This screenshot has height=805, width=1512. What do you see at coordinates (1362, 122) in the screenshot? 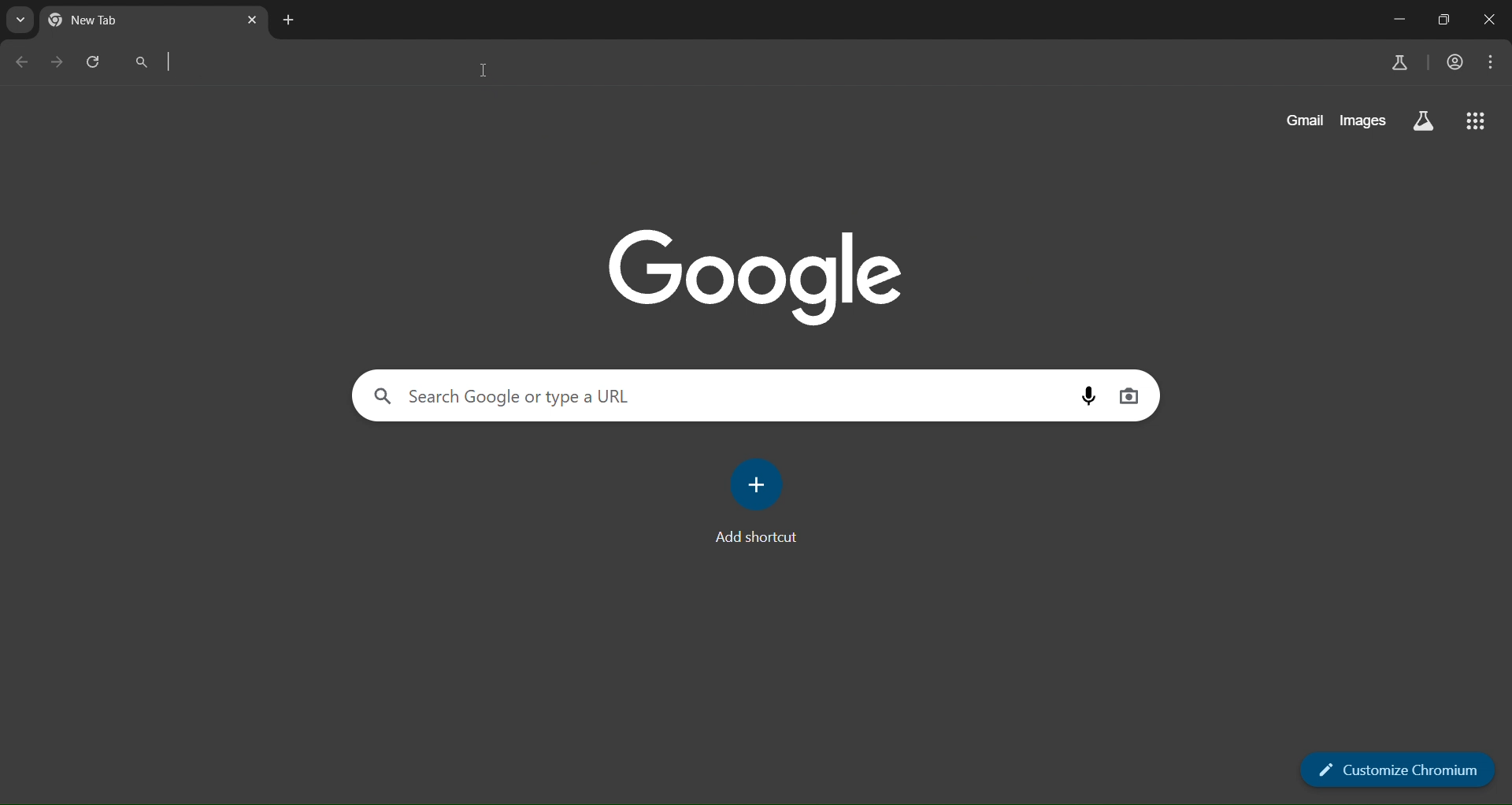
I see `images` at bounding box center [1362, 122].